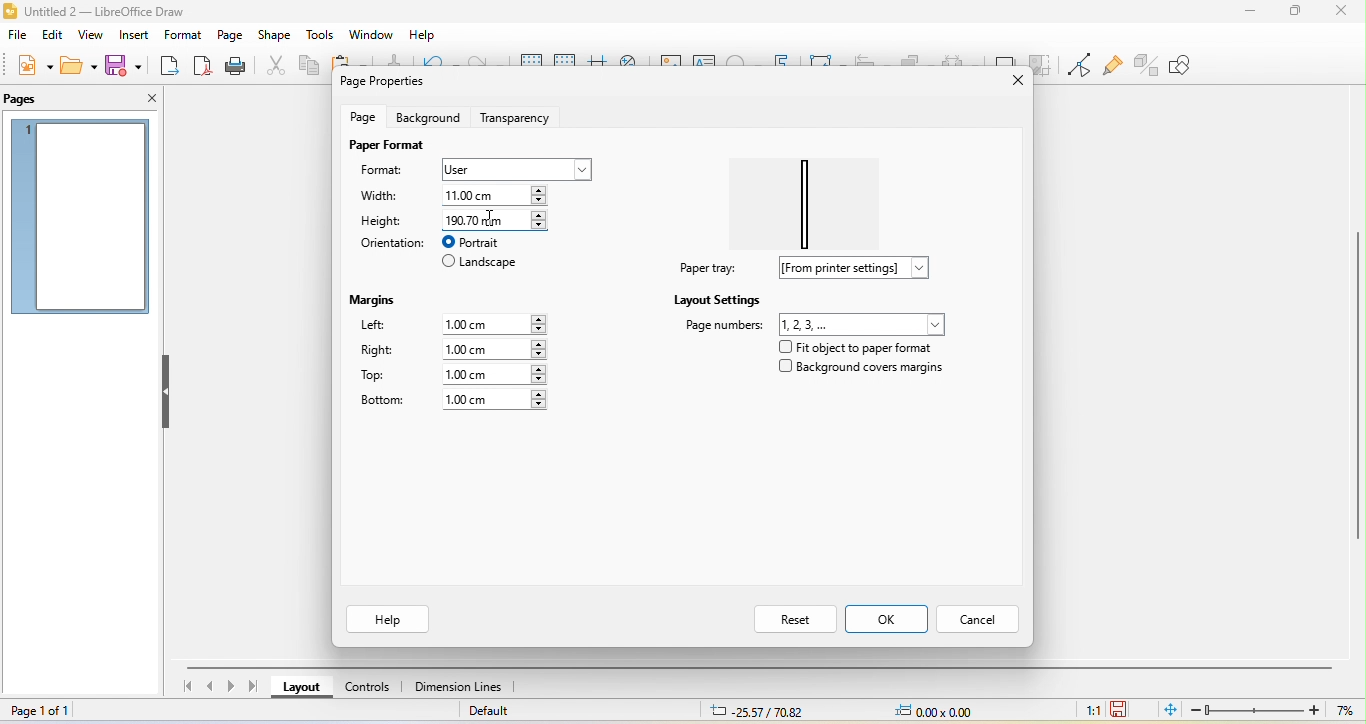  What do you see at coordinates (1120, 708) in the screenshot?
I see `click to save the document` at bounding box center [1120, 708].